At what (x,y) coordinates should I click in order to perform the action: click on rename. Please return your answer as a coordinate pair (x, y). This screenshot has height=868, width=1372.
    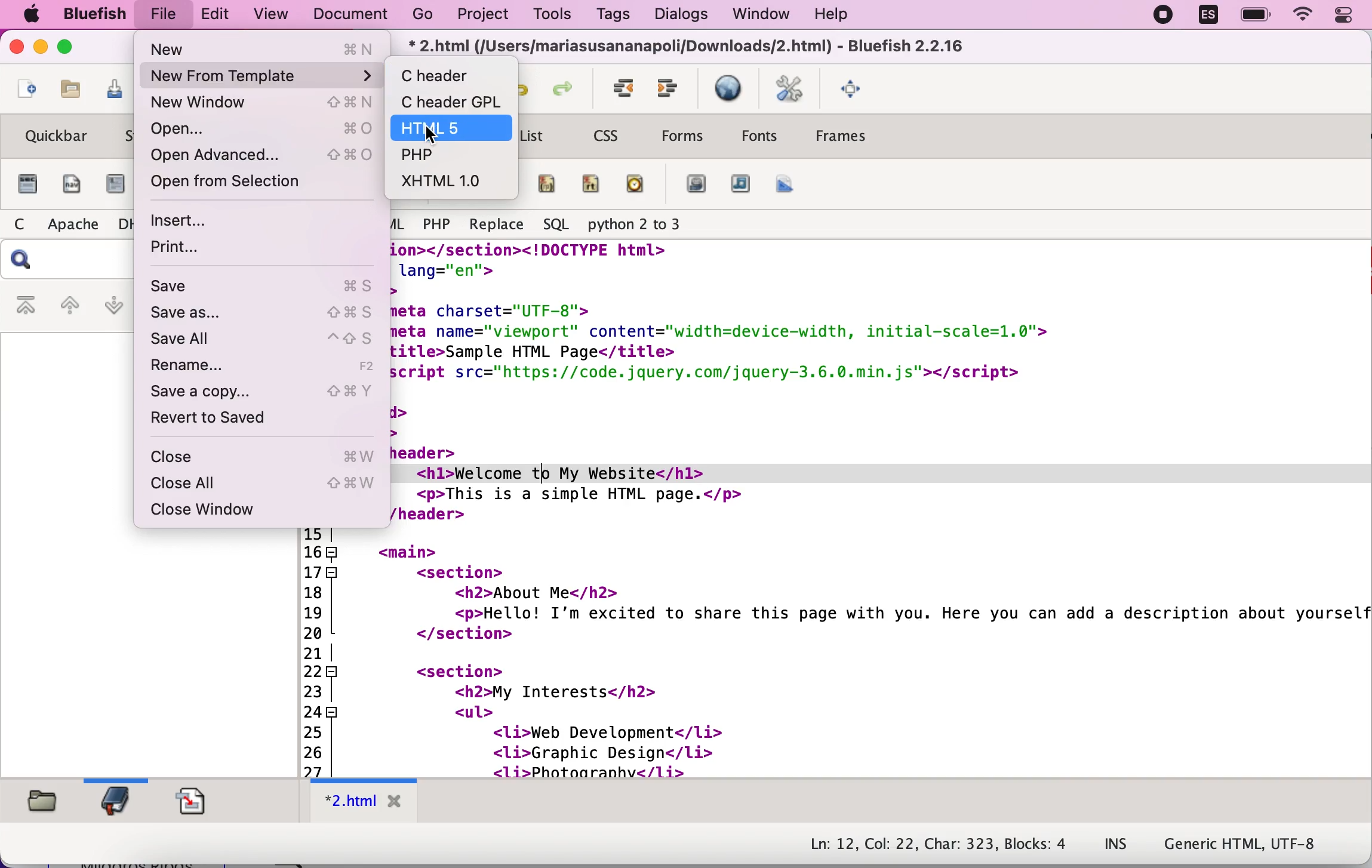
    Looking at the image, I should click on (271, 367).